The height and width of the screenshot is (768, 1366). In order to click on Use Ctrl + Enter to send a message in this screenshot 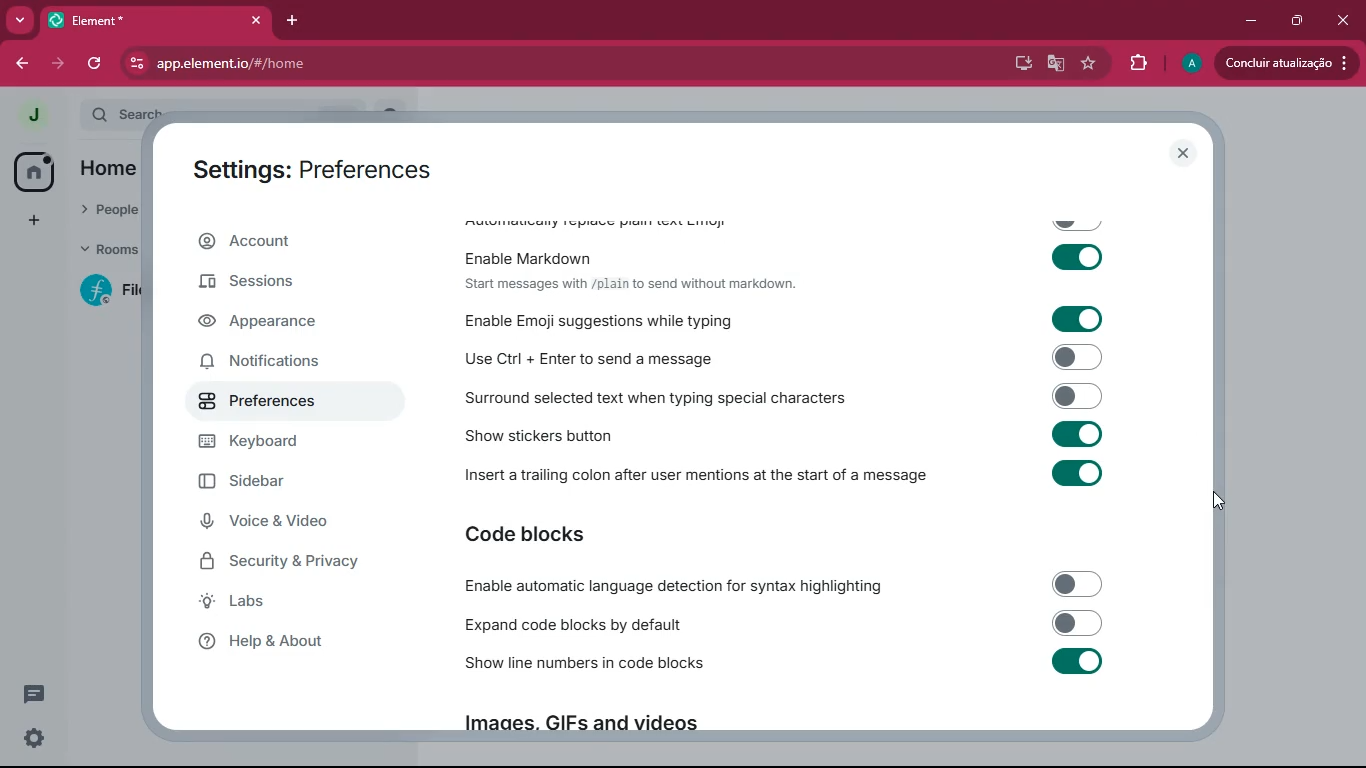, I will do `click(780, 360)`.